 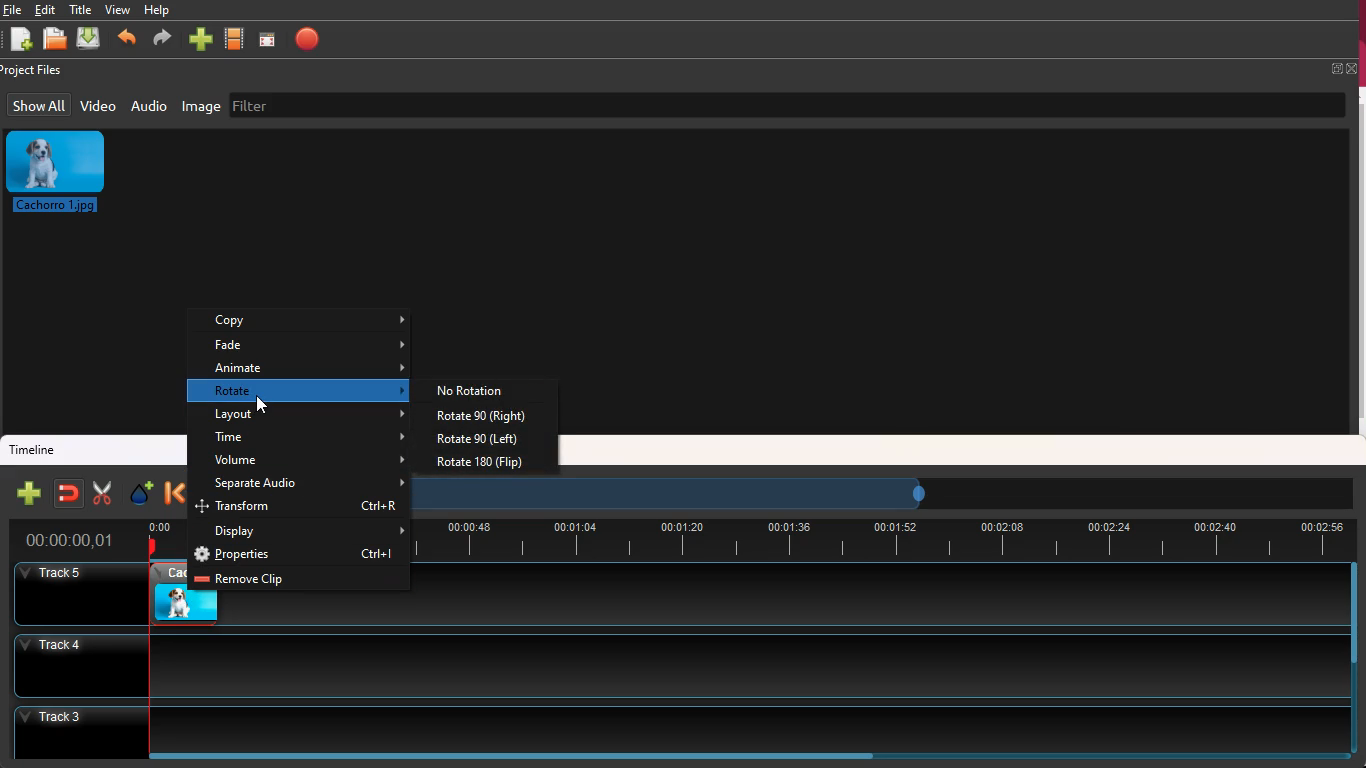 What do you see at coordinates (40, 105) in the screenshot?
I see `show all` at bounding box center [40, 105].